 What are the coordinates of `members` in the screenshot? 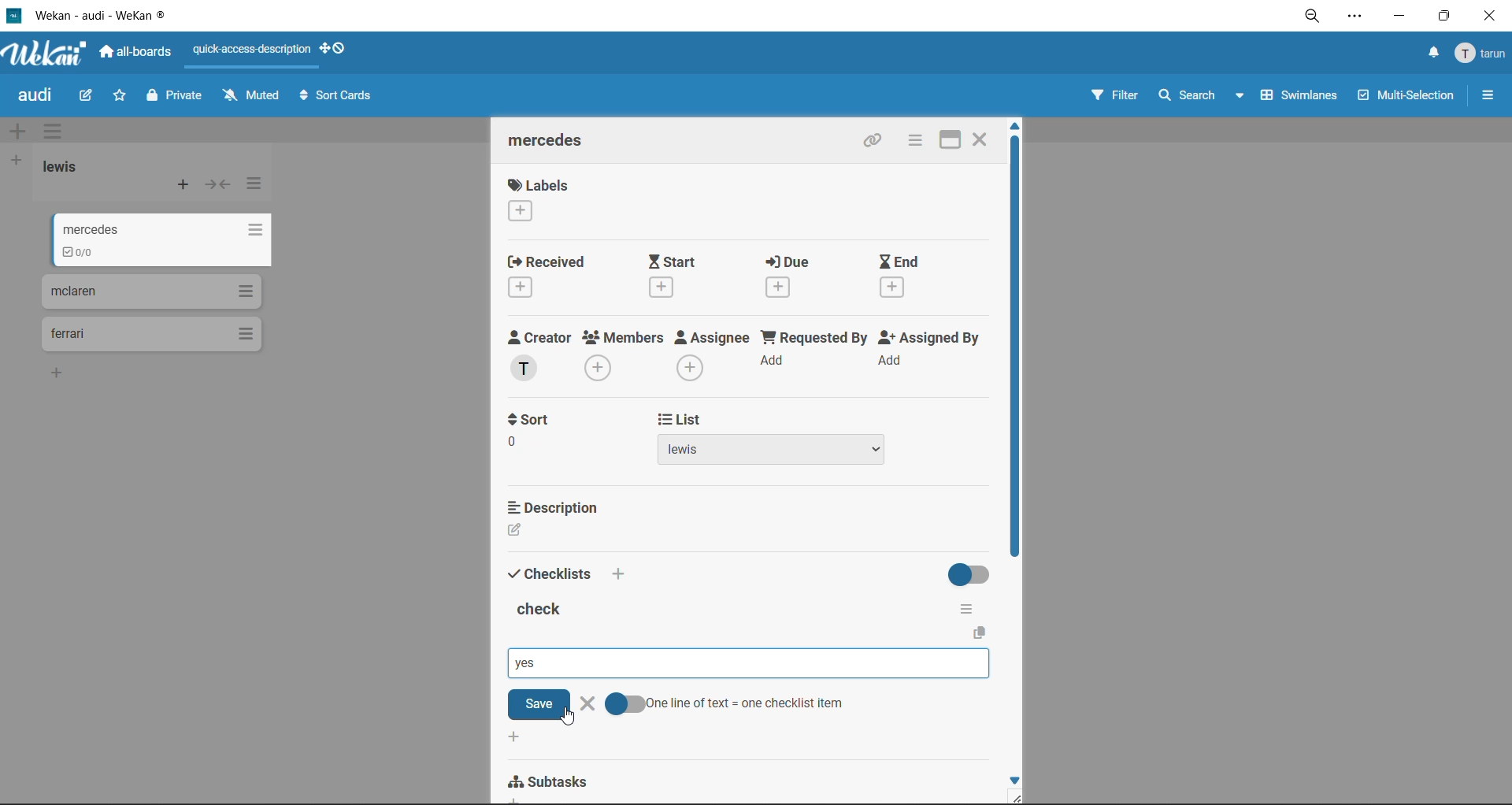 It's located at (624, 355).